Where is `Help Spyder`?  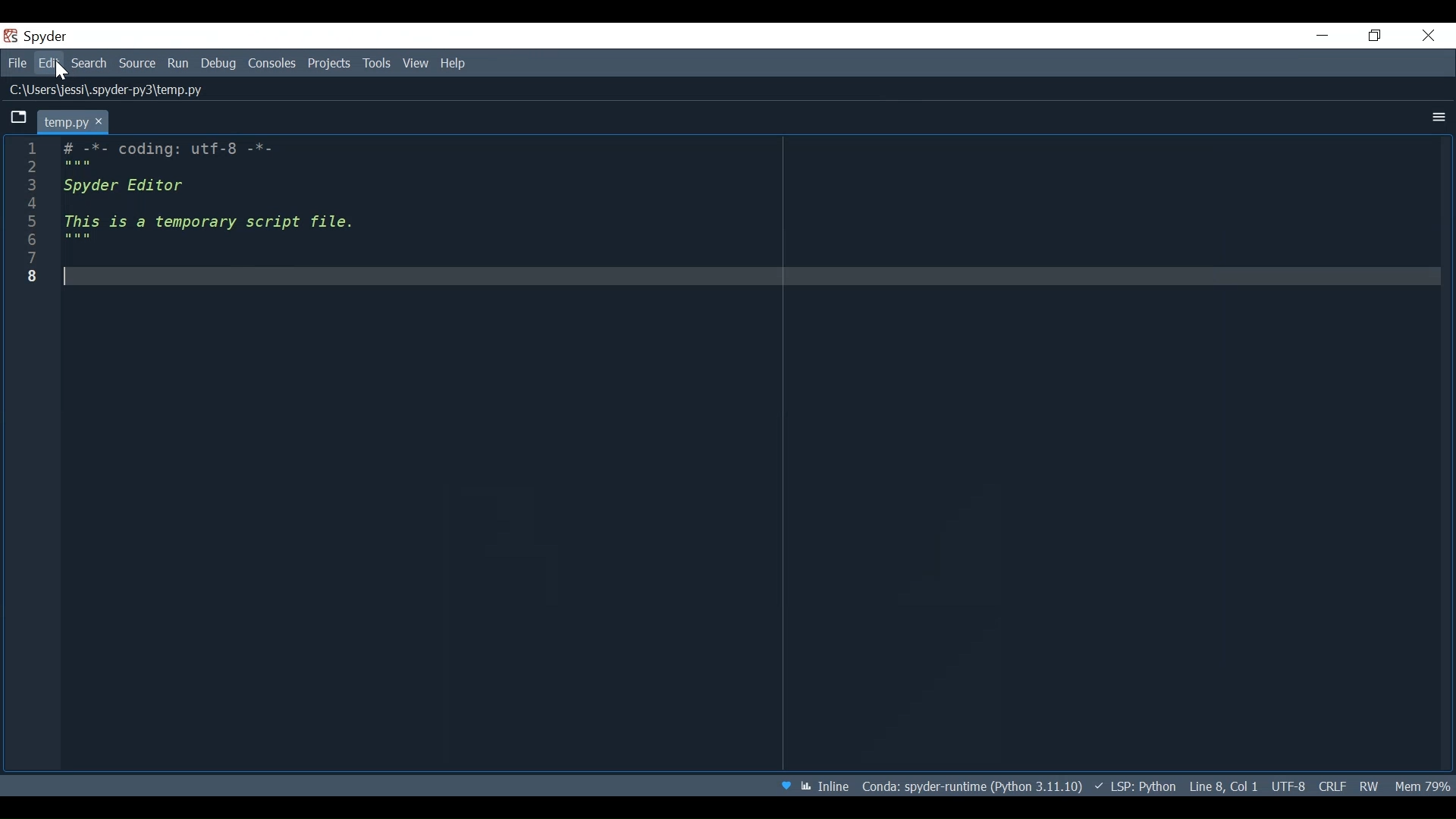 Help Spyder is located at coordinates (784, 786).